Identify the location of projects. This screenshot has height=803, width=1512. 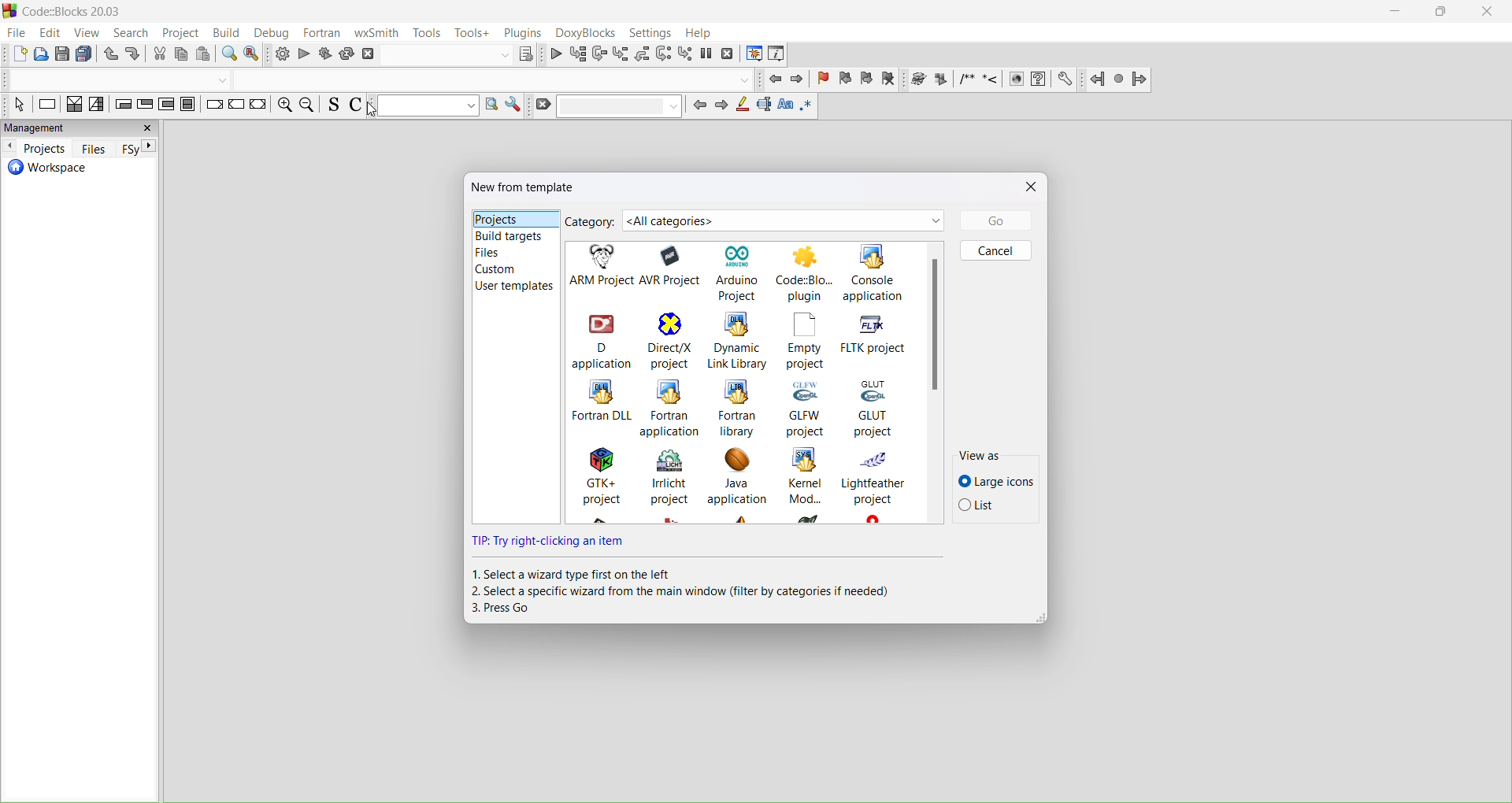
(47, 150).